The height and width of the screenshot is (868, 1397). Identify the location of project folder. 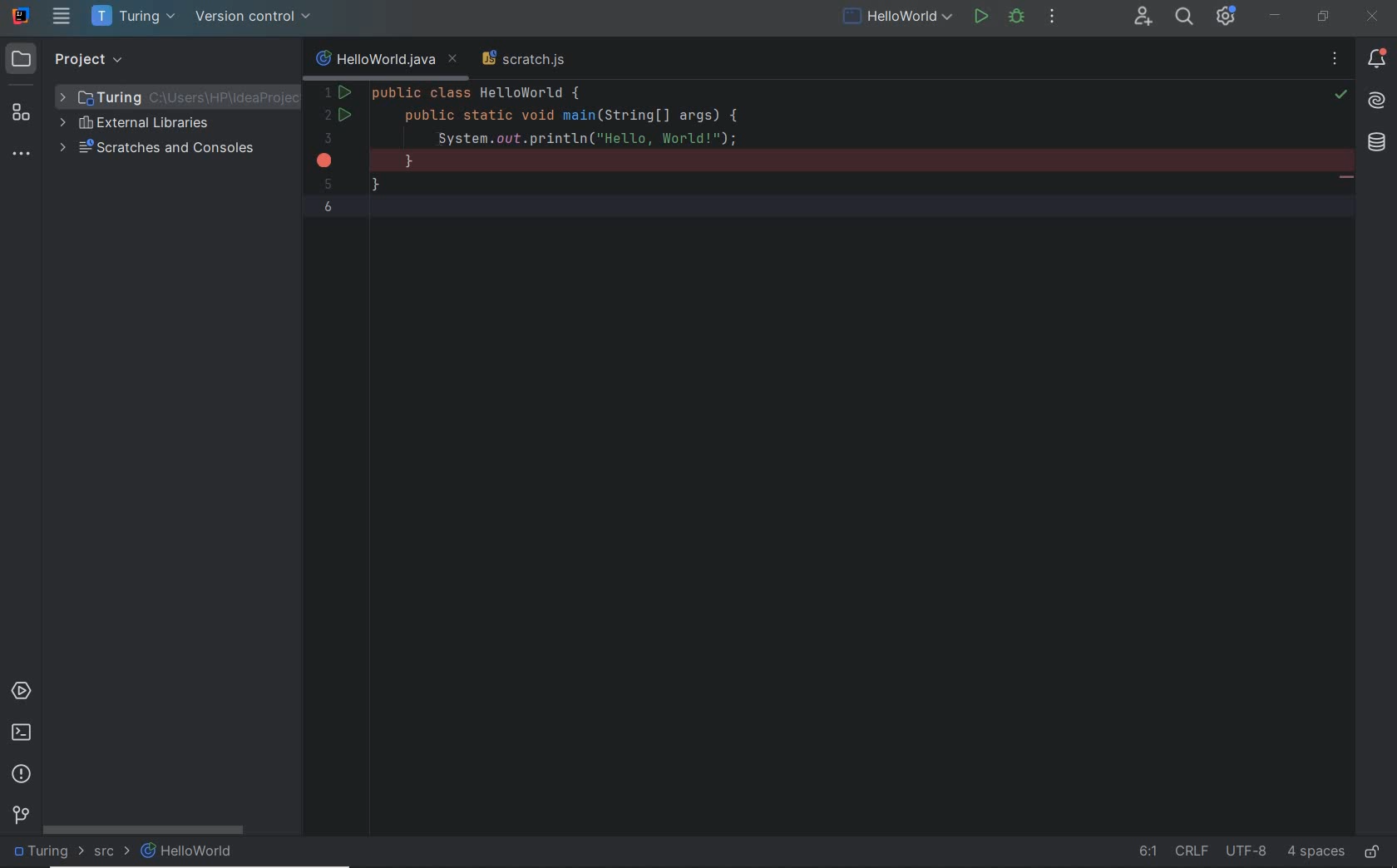
(167, 96).